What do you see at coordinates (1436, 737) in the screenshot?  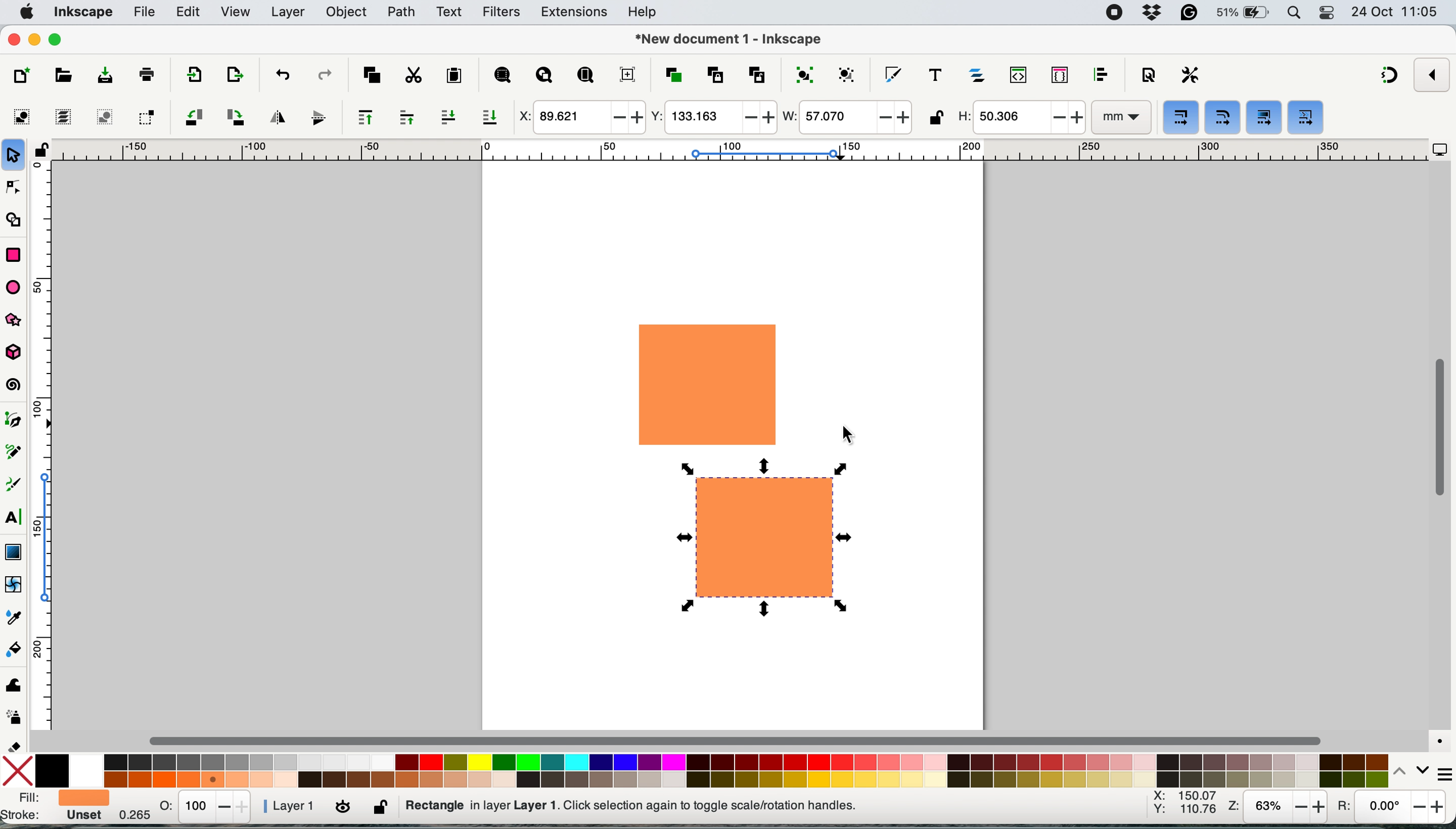 I see `color managed mode` at bounding box center [1436, 737].